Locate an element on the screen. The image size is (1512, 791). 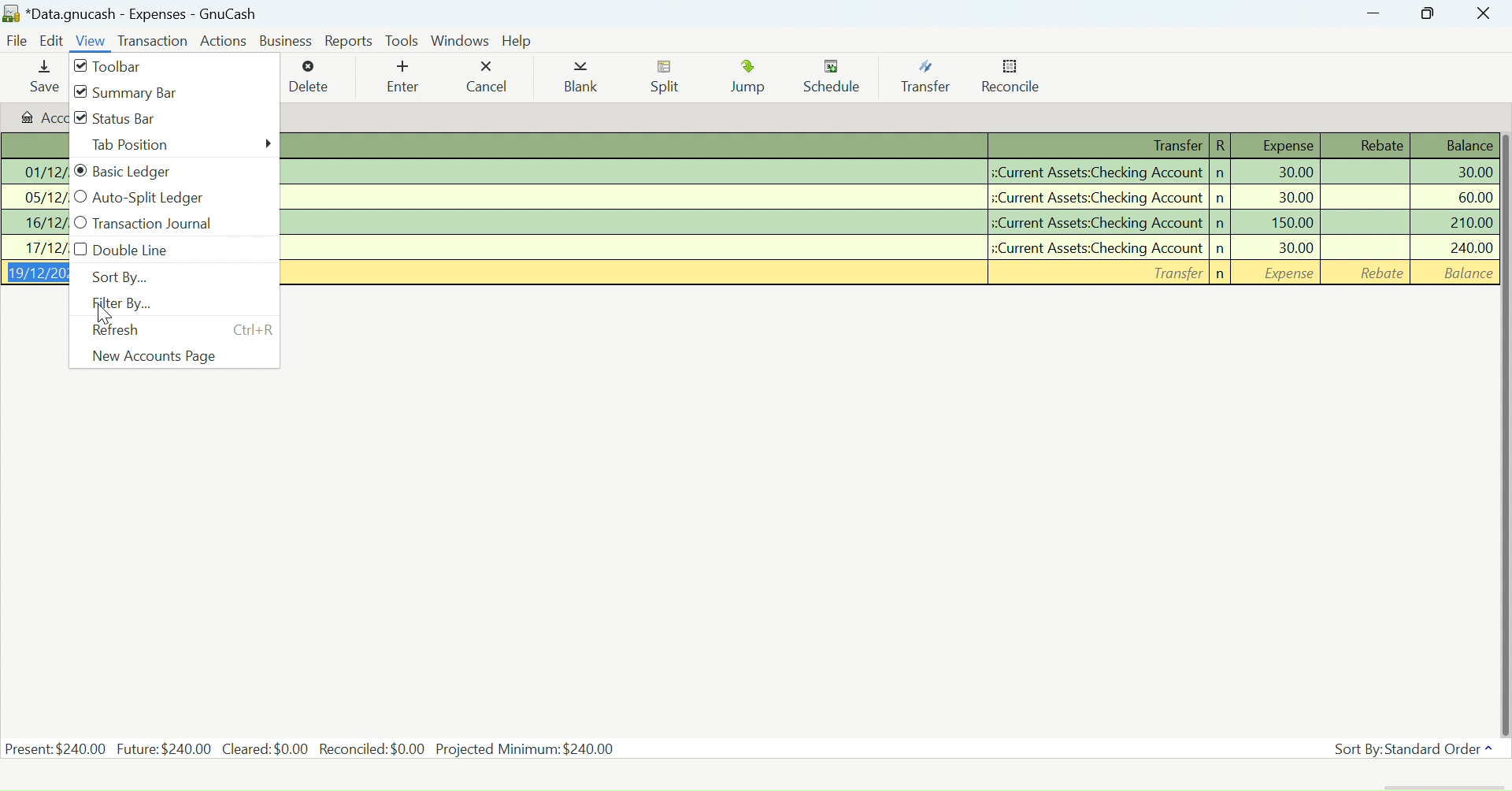
Cancel is located at coordinates (486, 77).